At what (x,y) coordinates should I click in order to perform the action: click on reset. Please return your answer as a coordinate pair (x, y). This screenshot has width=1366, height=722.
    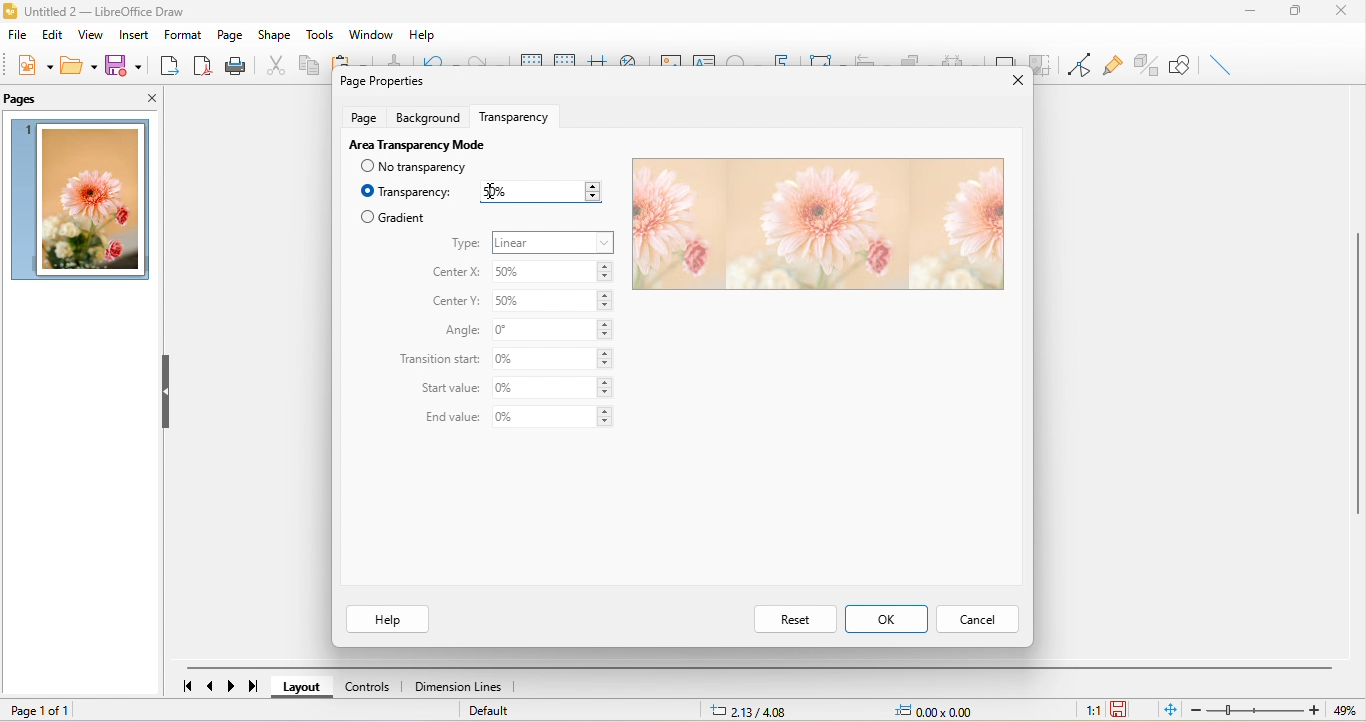
    Looking at the image, I should click on (794, 618).